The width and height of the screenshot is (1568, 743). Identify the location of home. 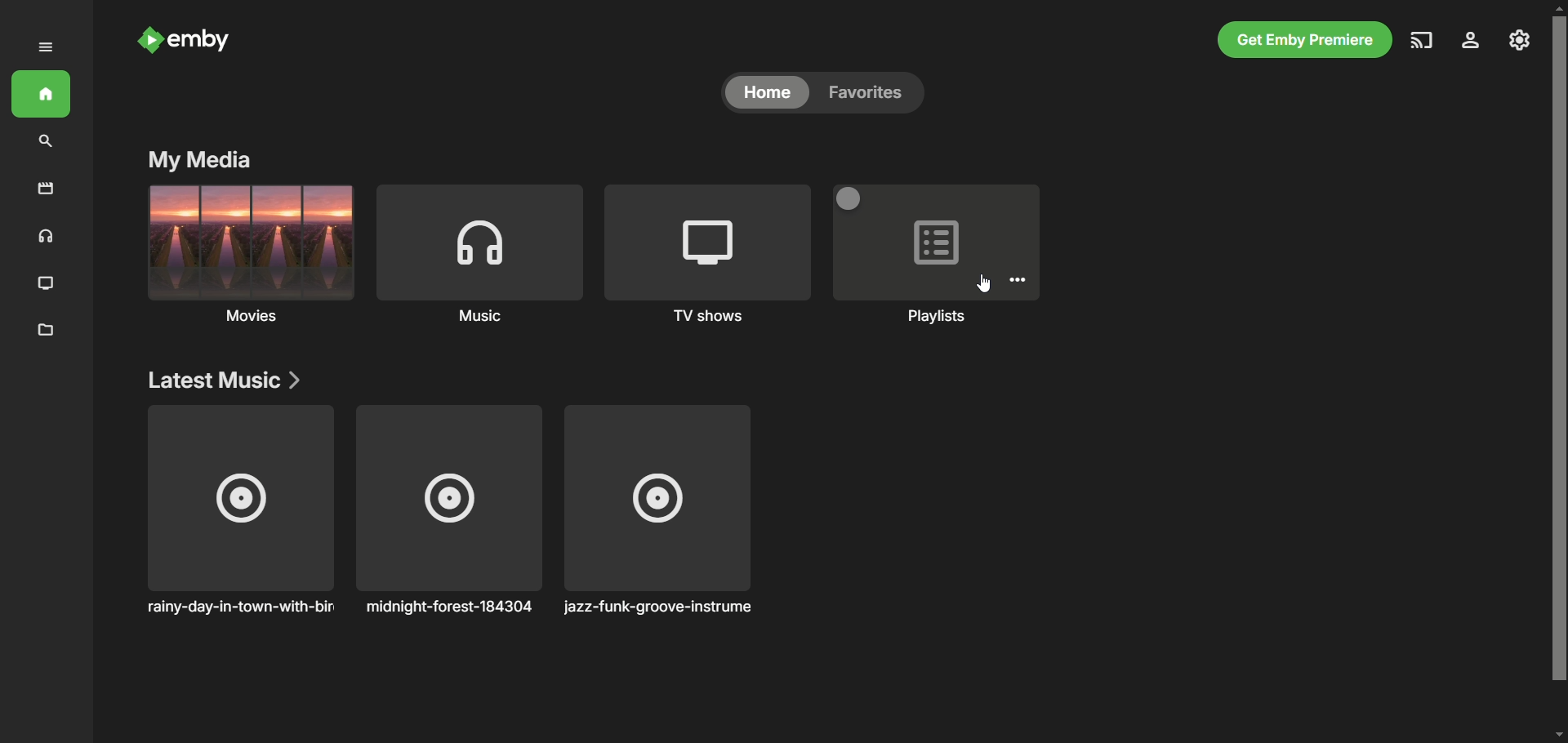
(766, 92).